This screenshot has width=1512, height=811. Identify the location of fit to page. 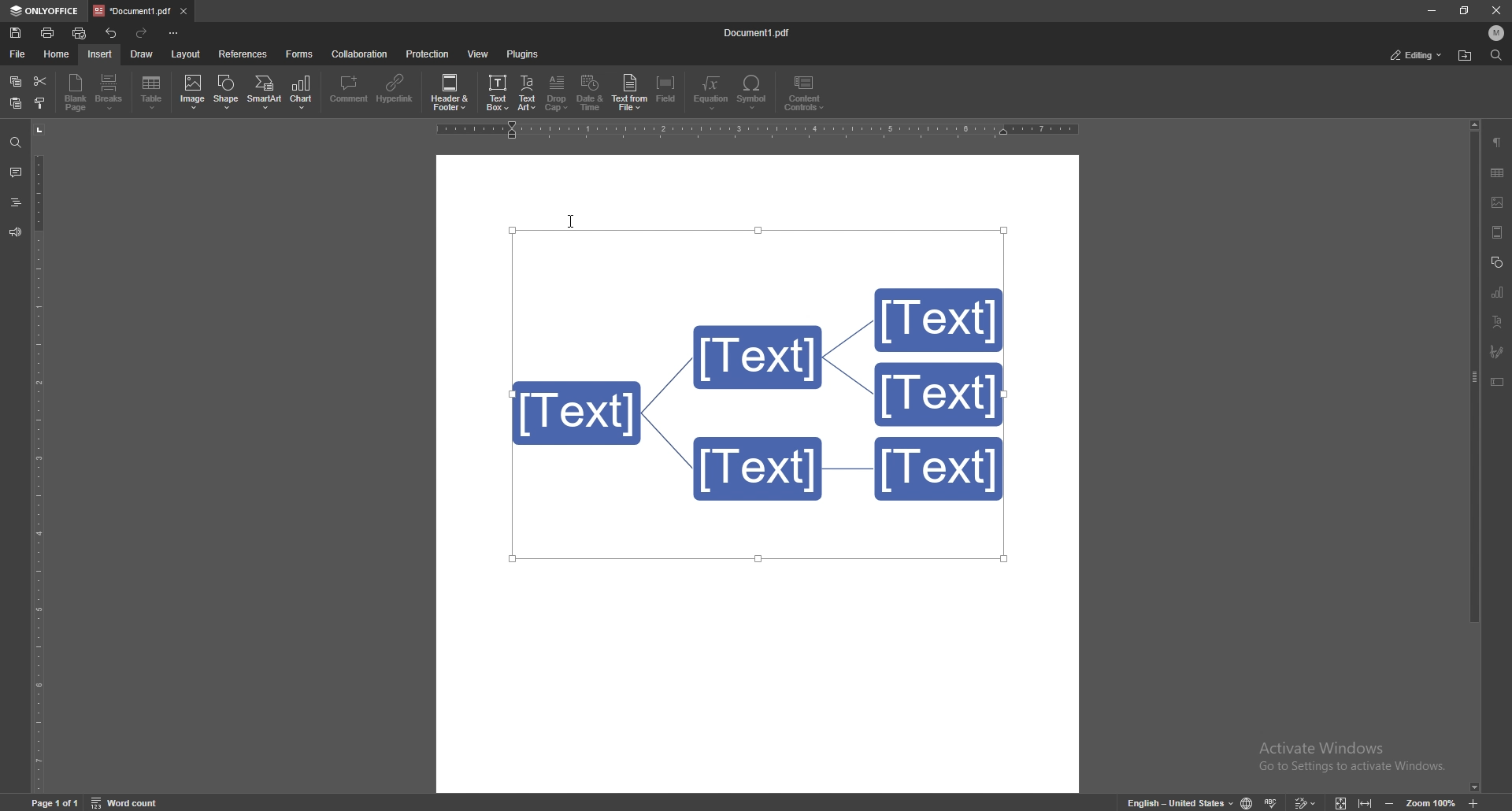
(1341, 801).